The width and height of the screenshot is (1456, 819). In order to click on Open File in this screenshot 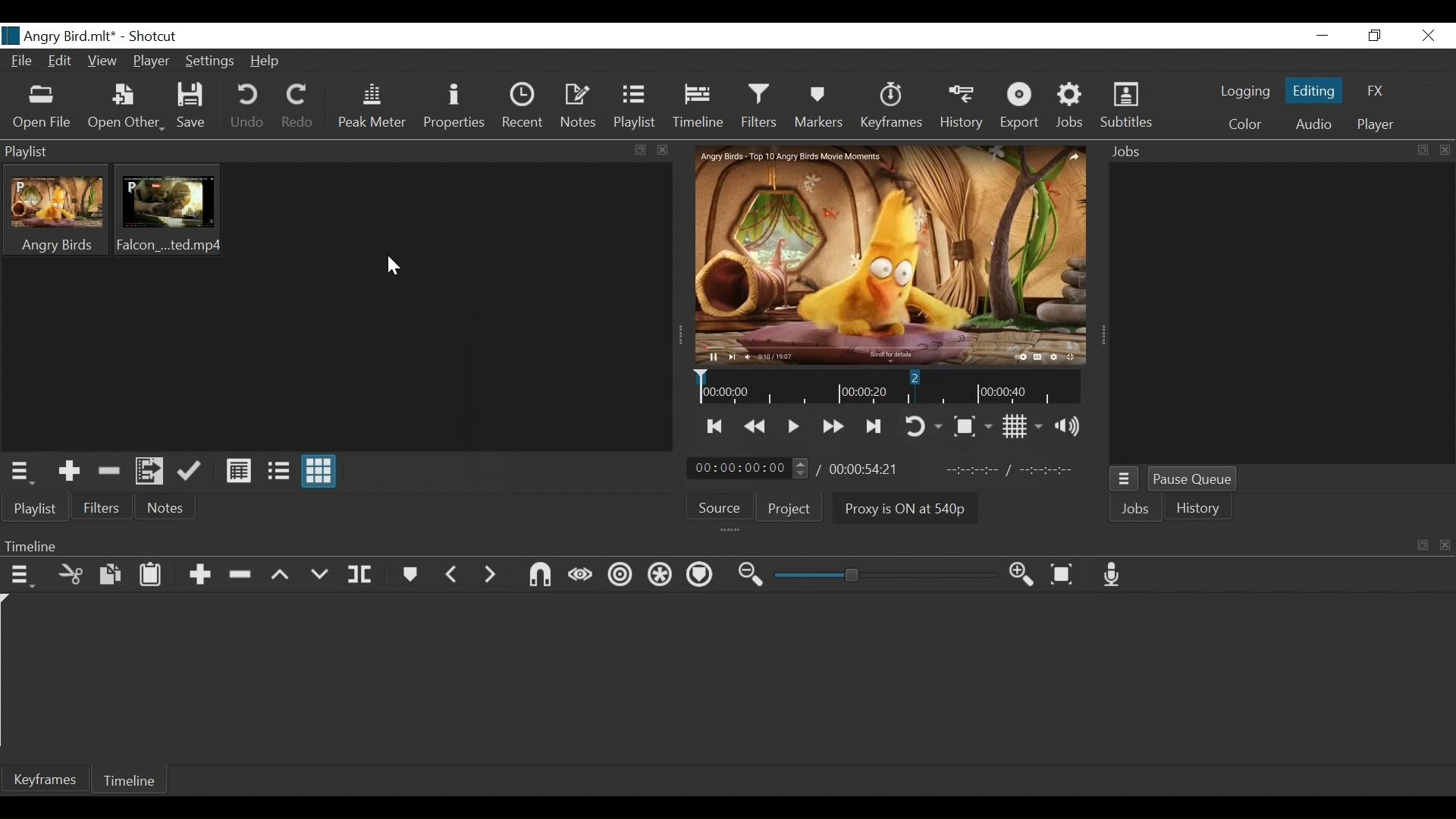, I will do `click(42, 108)`.